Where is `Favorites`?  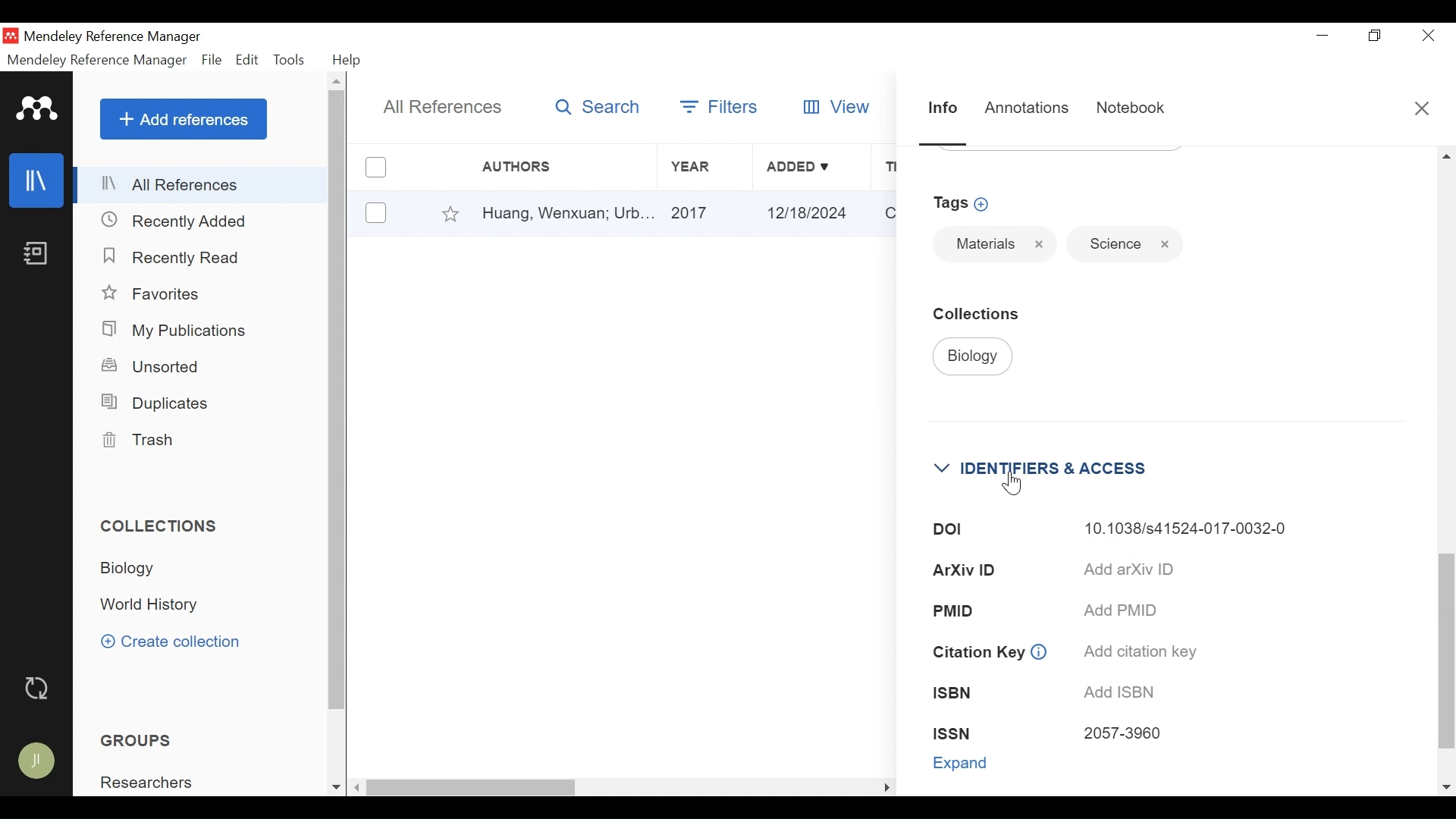
Favorites is located at coordinates (451, 212).